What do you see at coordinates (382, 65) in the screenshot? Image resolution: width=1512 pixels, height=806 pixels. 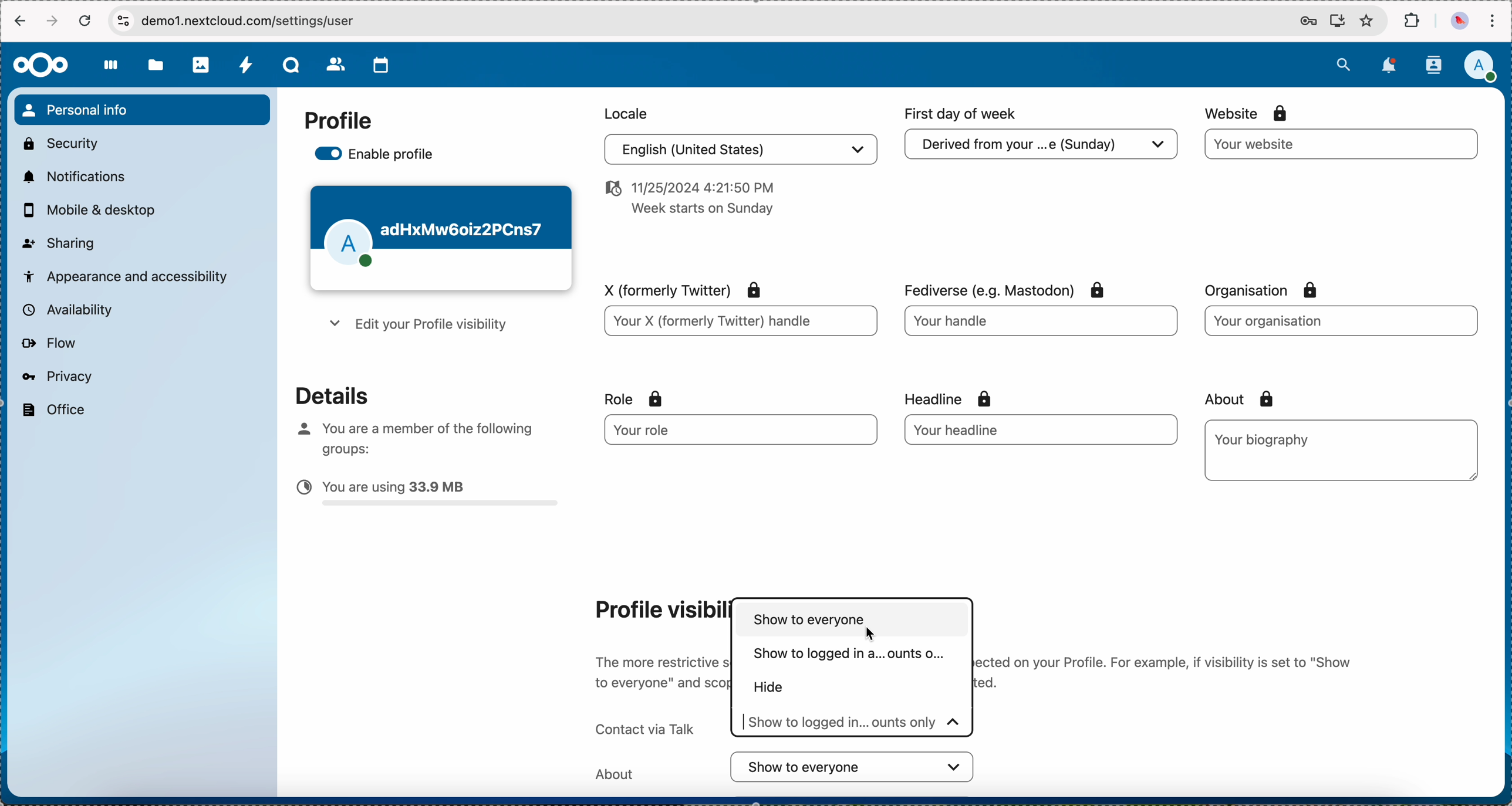 I see `calendar` at bounding box center [382, 65].